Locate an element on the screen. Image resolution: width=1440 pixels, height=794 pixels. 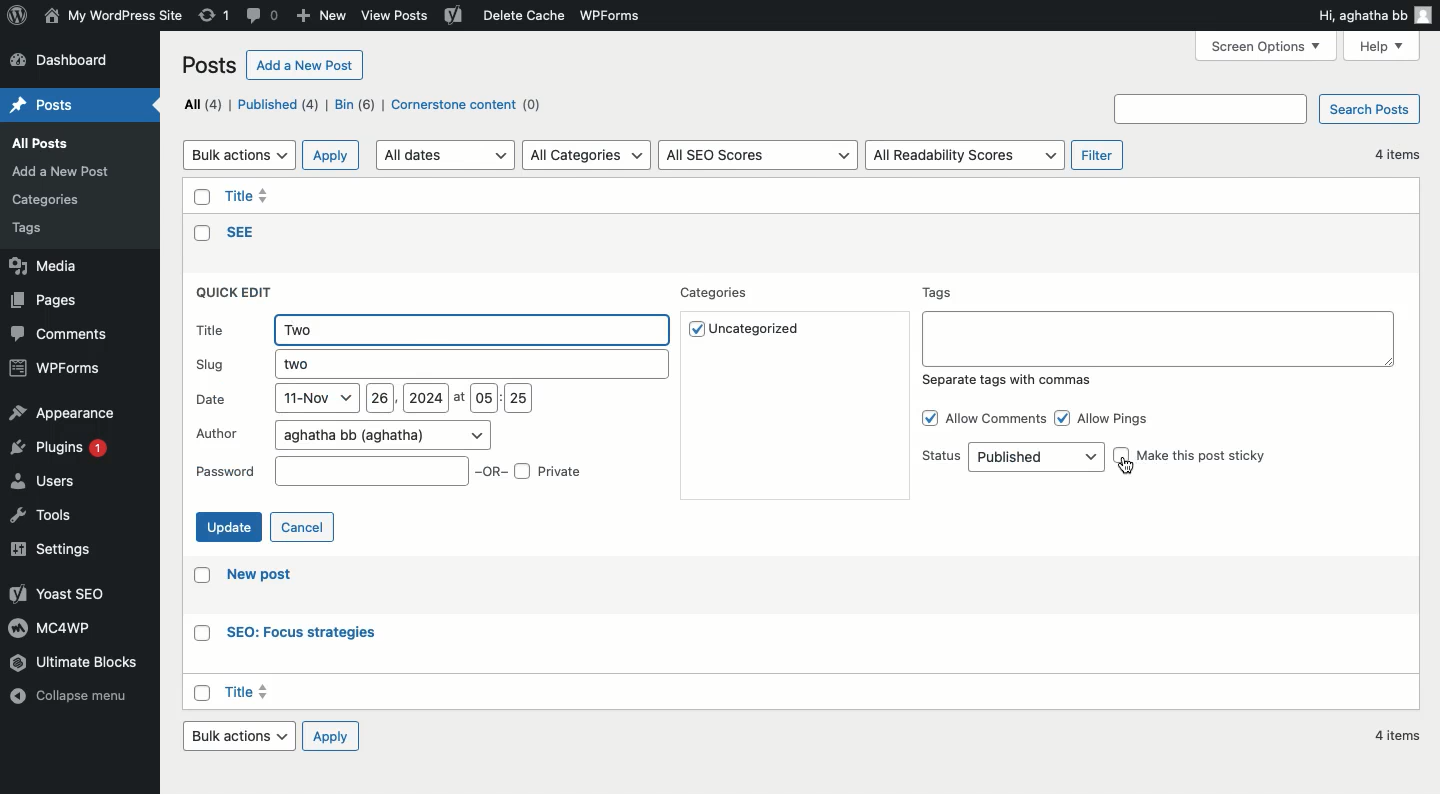
SEO: Focus strategies is located at coordinates (299, 633).